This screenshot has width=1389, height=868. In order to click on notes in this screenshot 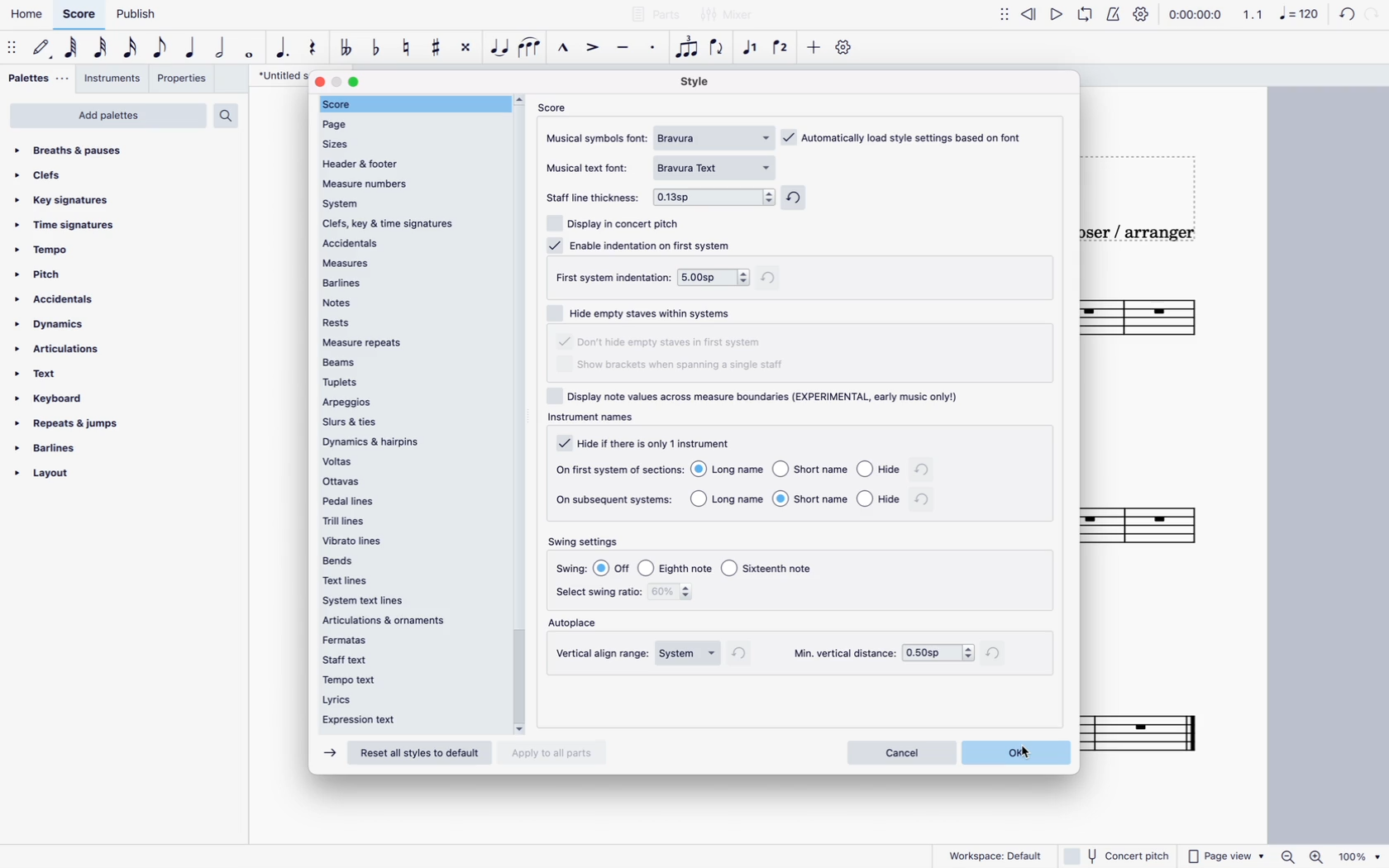, I will do `click(408, 302)`.